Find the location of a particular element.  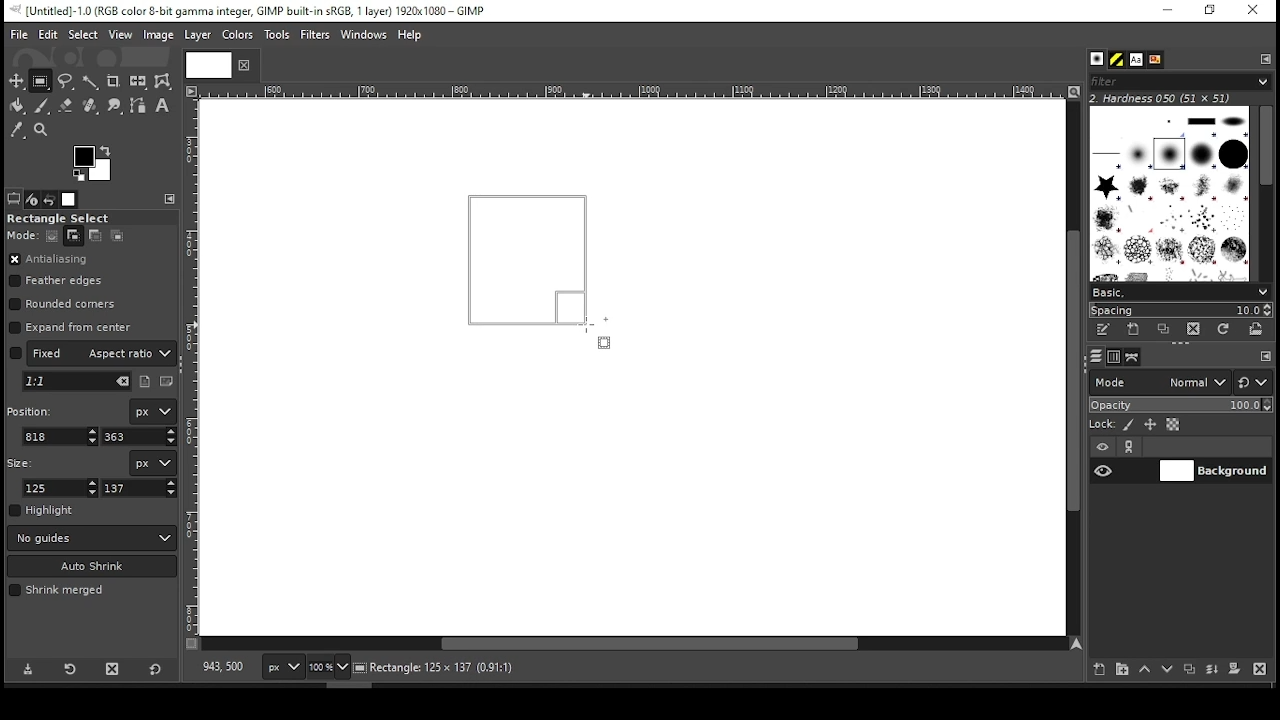

images is located at coordinates (70, 200).